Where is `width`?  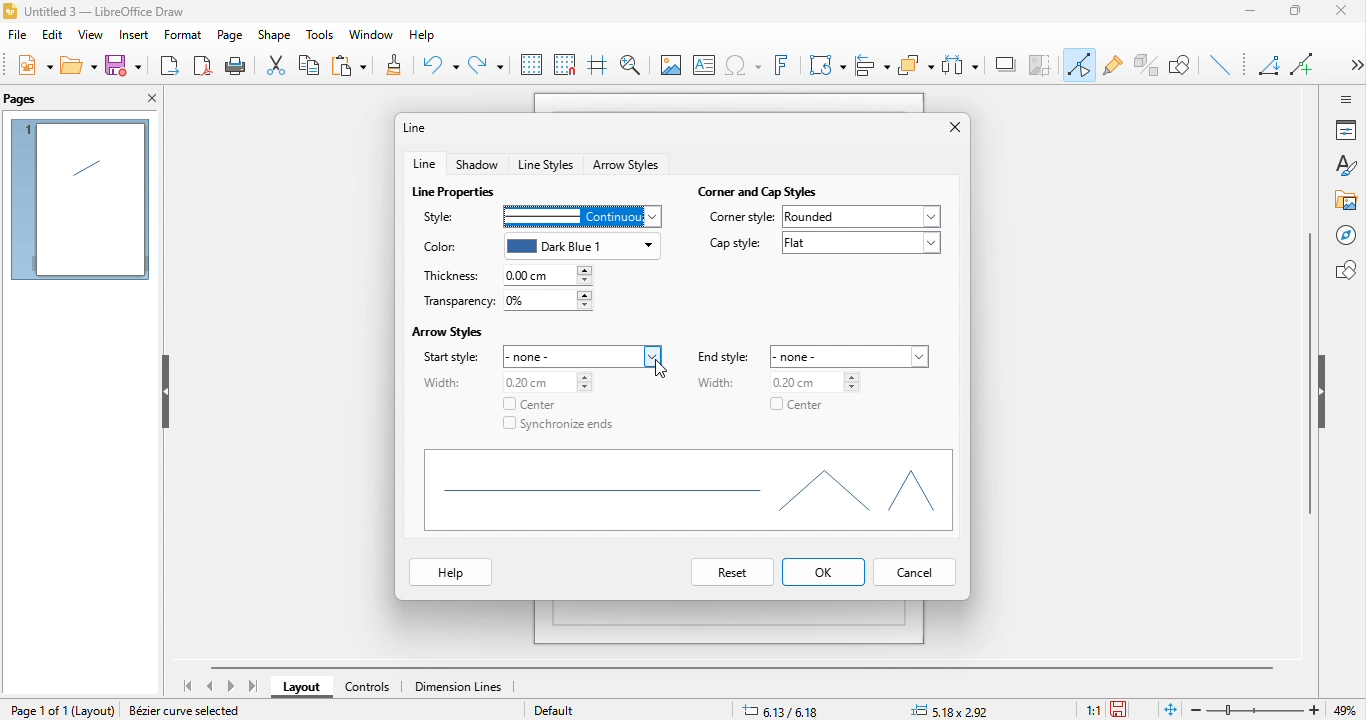 width is located at coordinates (717, 386).